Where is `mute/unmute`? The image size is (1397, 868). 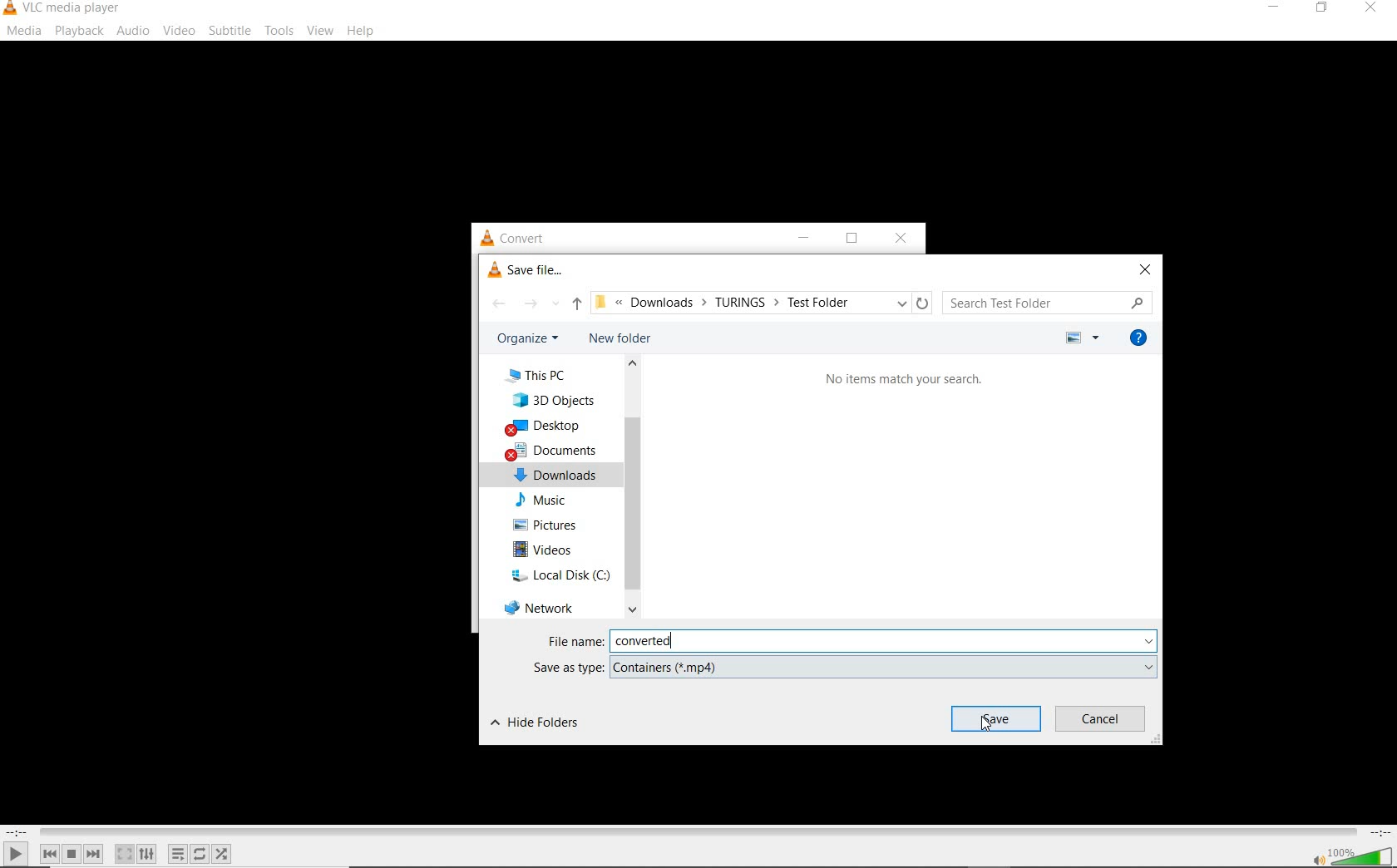 mute/unmute is located at coordinates (1317, 859).